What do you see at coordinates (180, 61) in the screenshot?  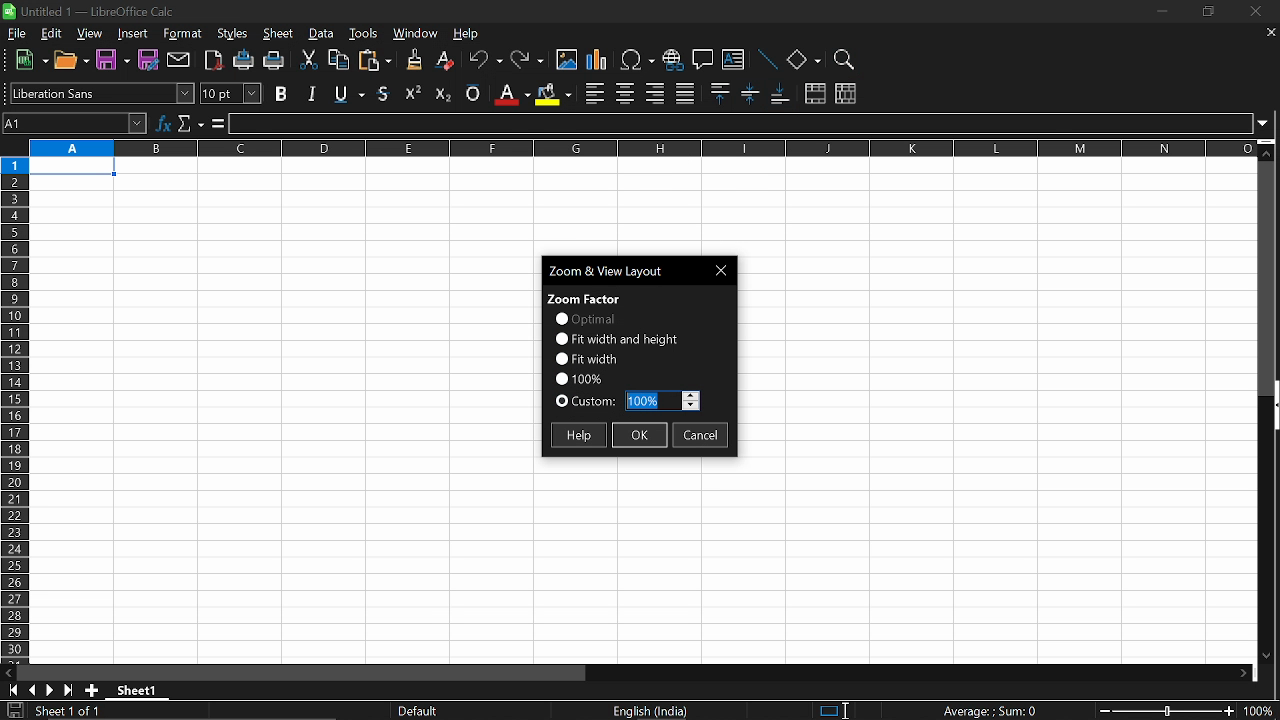 I see `attach` at bounding box center [180, 61].